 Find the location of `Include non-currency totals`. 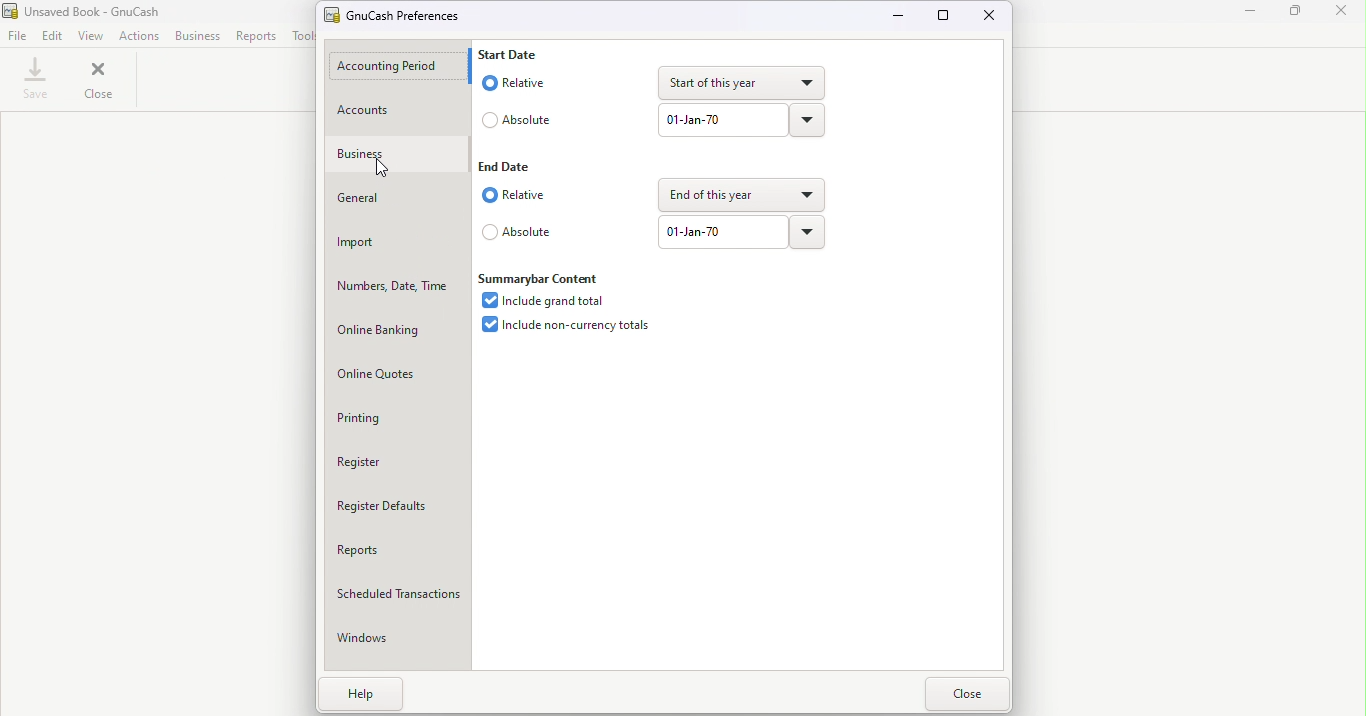

Include non-currency totals is located at coordinates (577, 326).